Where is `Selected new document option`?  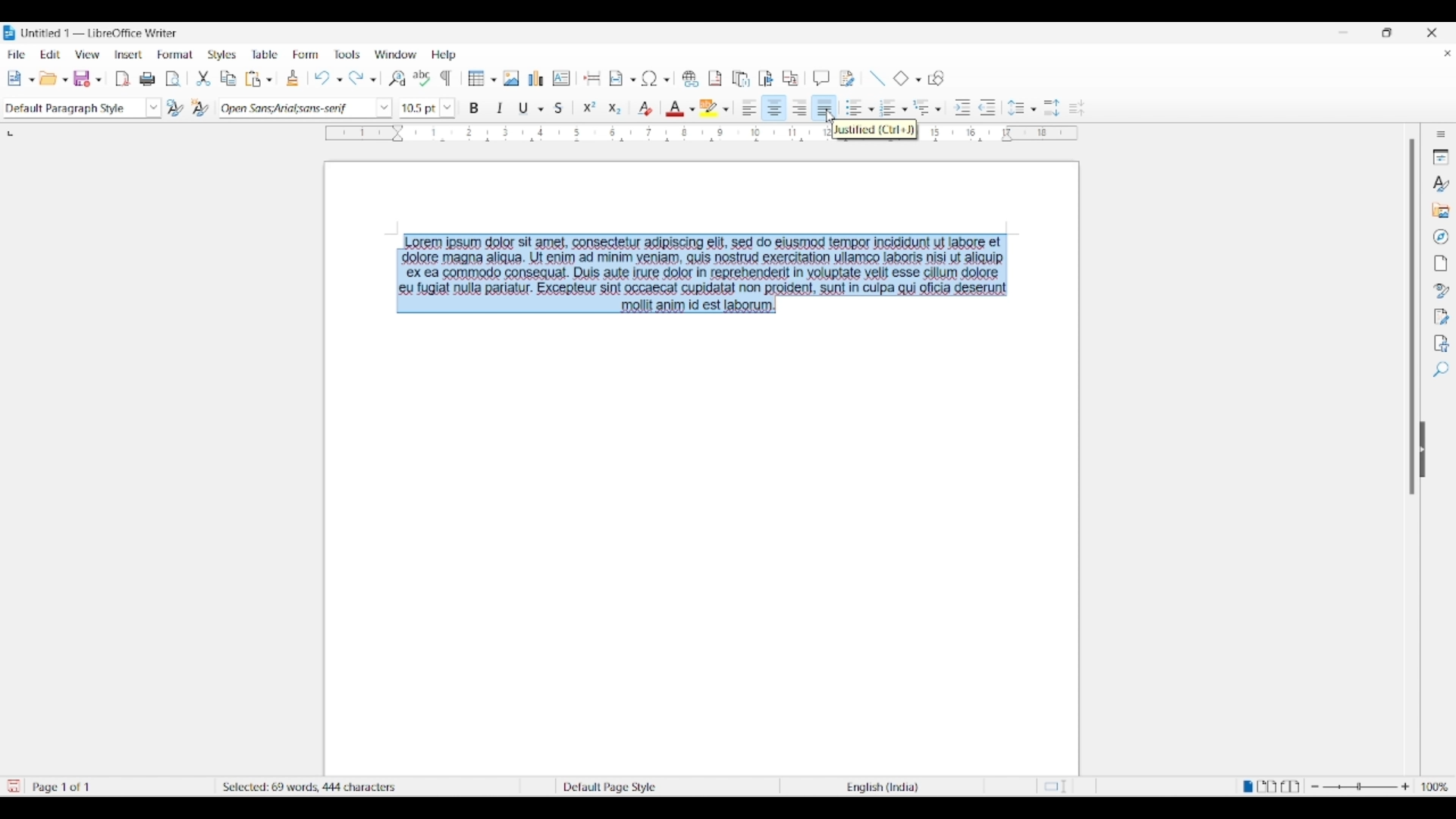 Selected new document option is located at coordinates (17, 77).